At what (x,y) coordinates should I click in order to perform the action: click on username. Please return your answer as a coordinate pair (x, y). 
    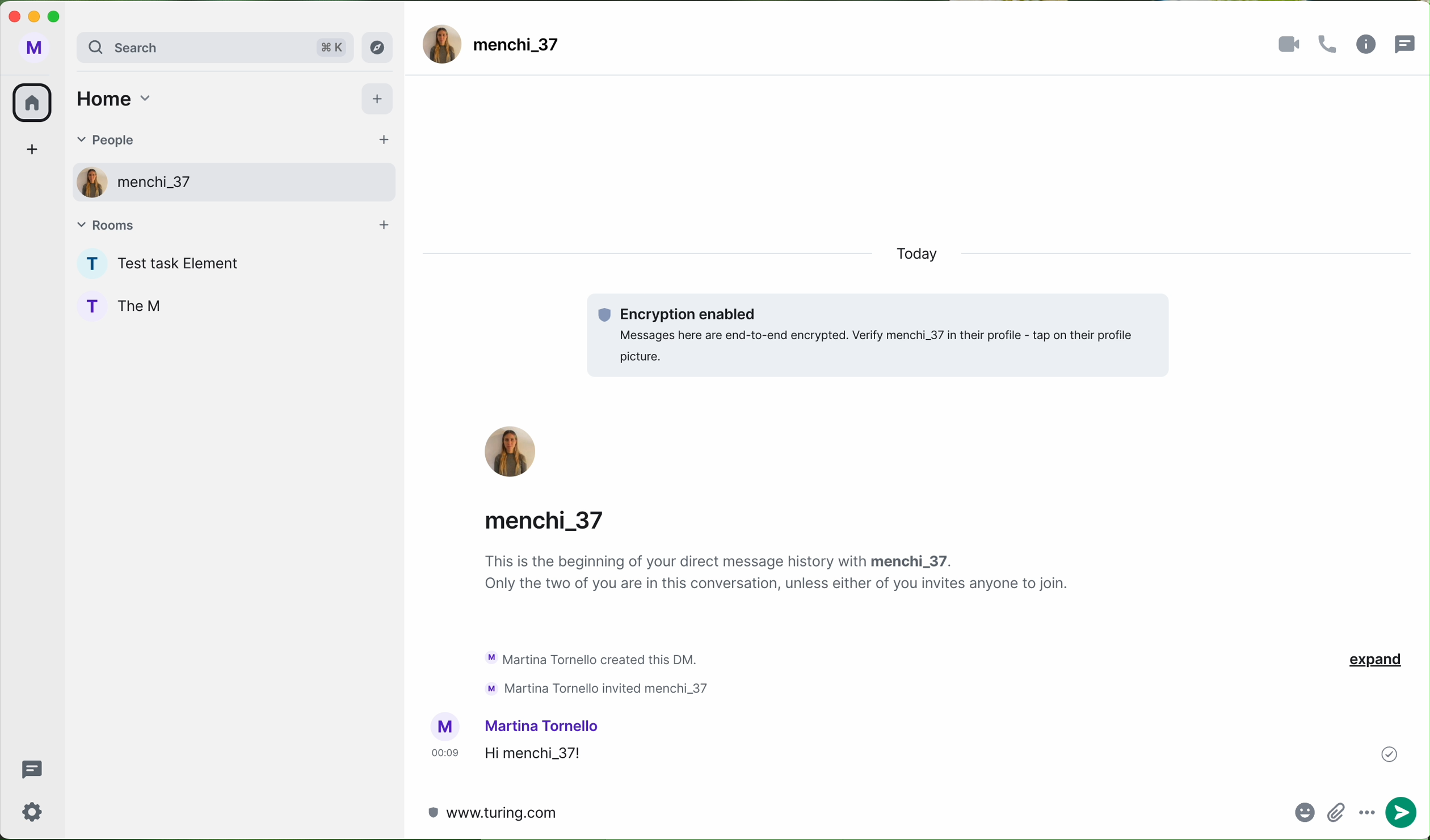
    Looking at the image, I should click on (552, 517).